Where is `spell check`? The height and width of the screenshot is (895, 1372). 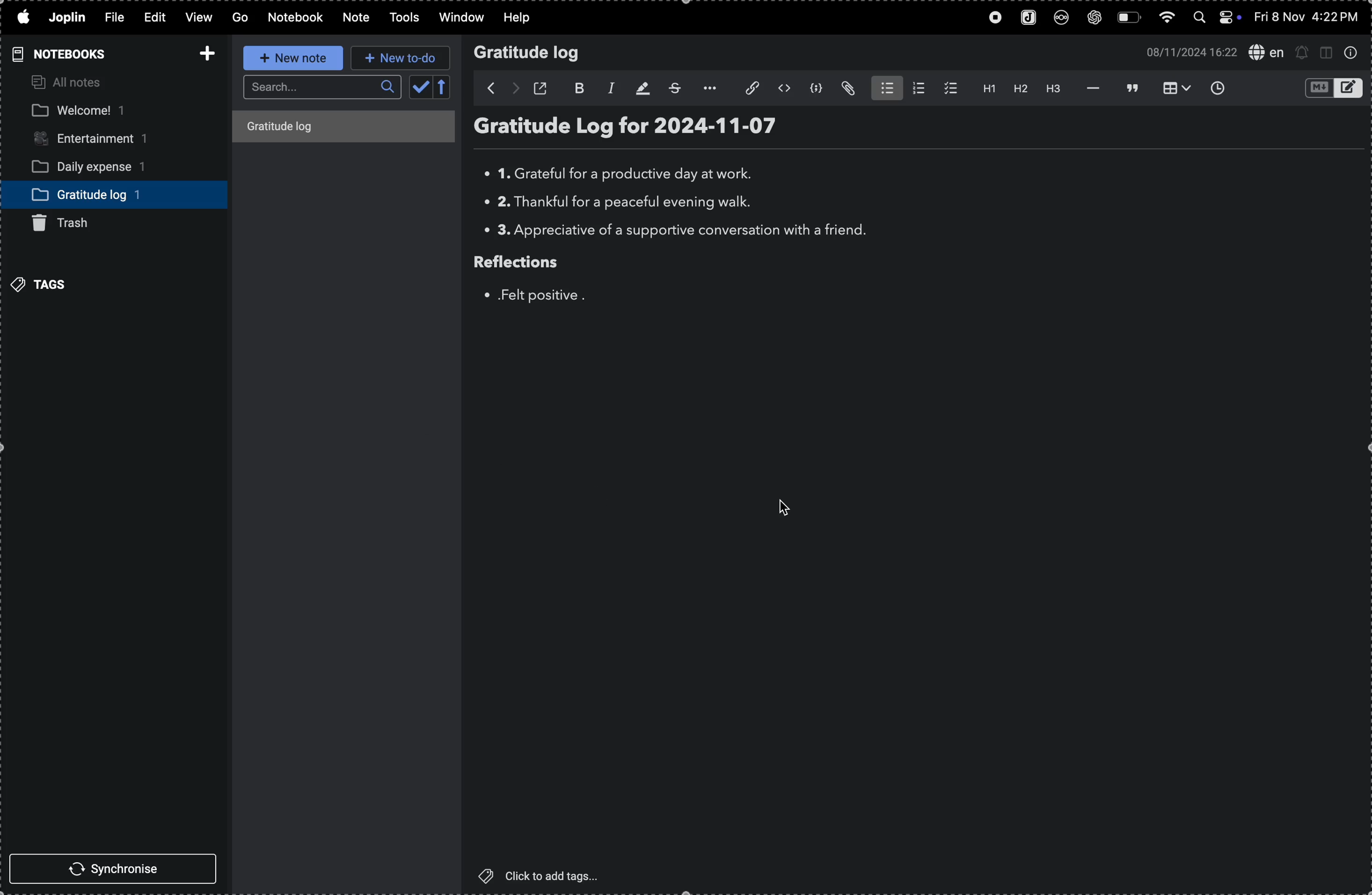
spell check is located at coordinates (1268, 51).